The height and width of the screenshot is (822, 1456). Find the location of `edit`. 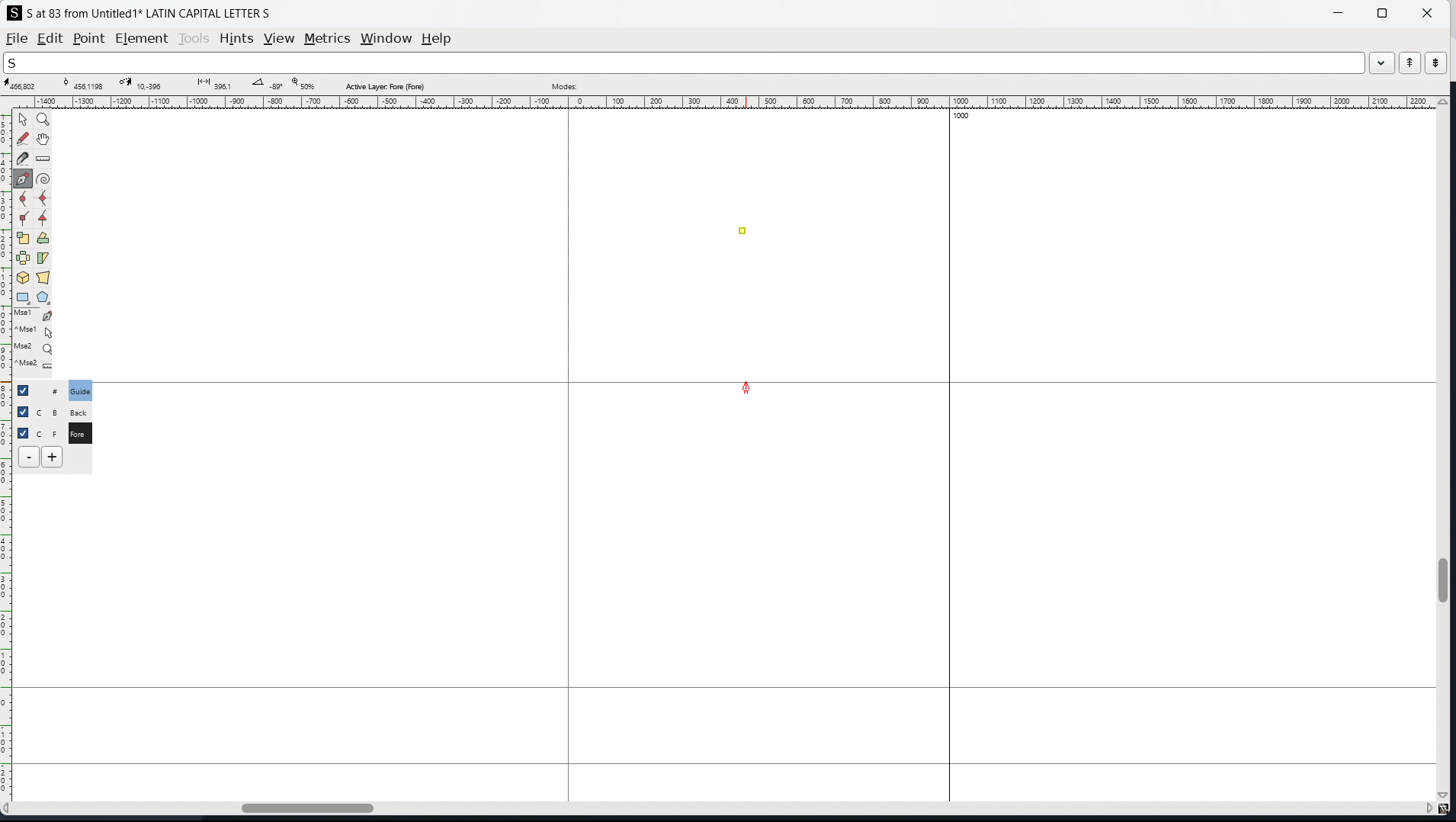

edit is located at coordinates (50, 38).